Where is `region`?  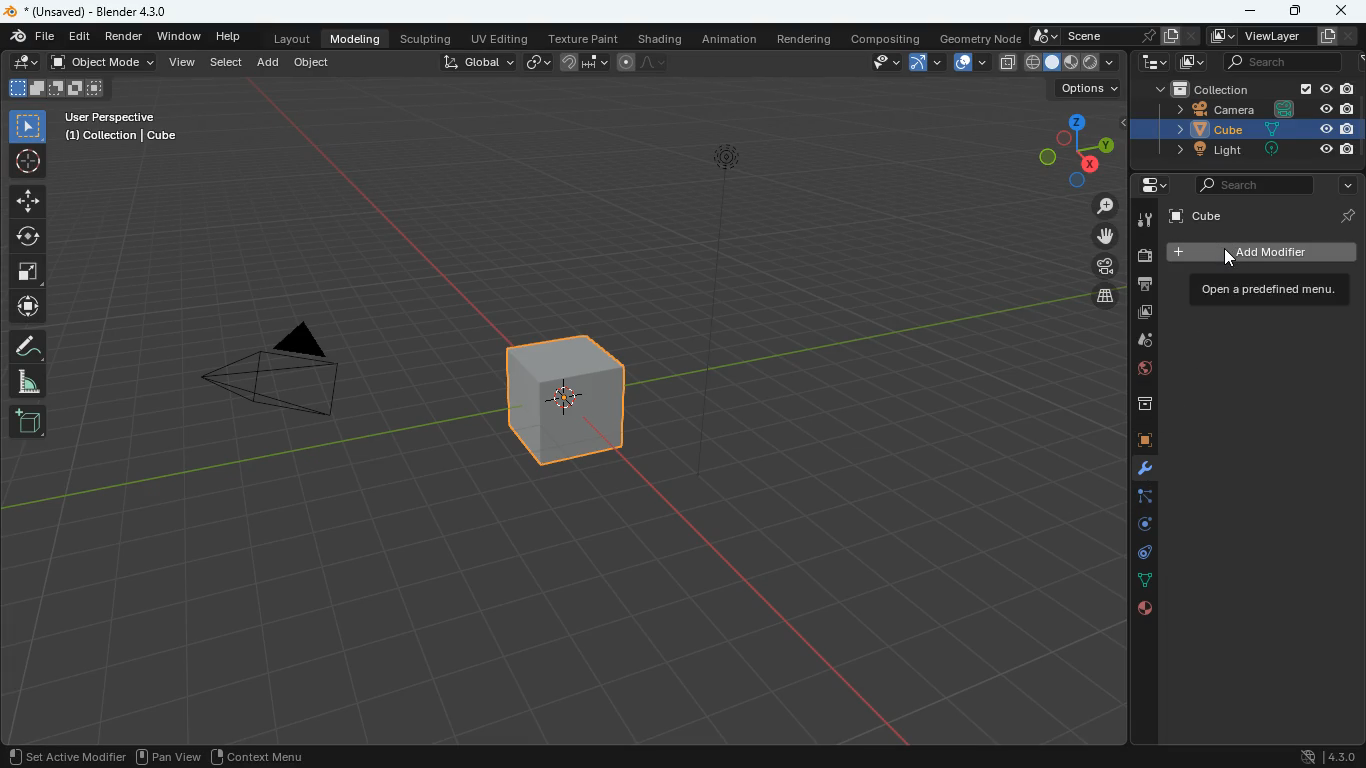 region is located at coordinates (259, 755).